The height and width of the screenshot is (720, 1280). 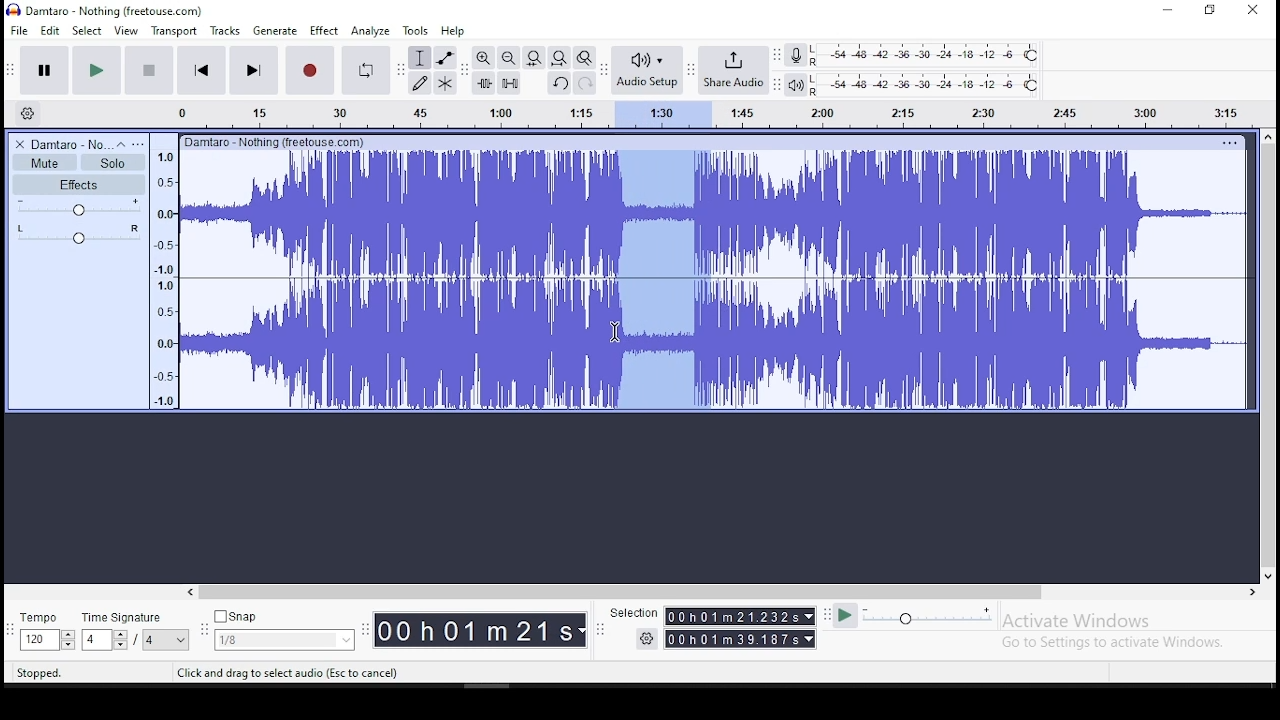 I want to click on Go to Settings to activate Windows., so click(x=1116, y=642).